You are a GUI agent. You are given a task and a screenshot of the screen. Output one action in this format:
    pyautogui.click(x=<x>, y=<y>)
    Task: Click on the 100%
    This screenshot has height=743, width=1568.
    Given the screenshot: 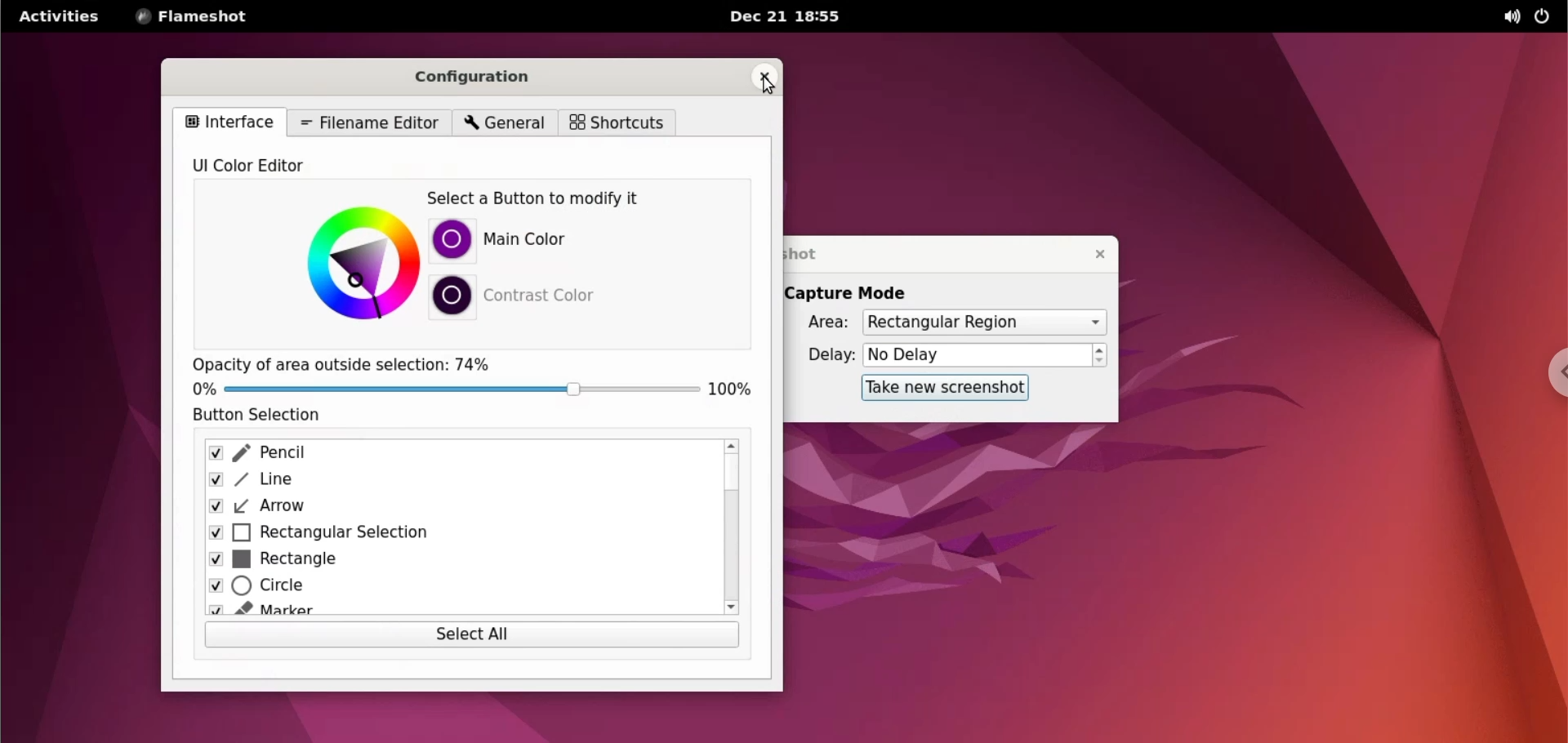 What is the action you would take?
    pyautogui.click(x=730, y=385)
    